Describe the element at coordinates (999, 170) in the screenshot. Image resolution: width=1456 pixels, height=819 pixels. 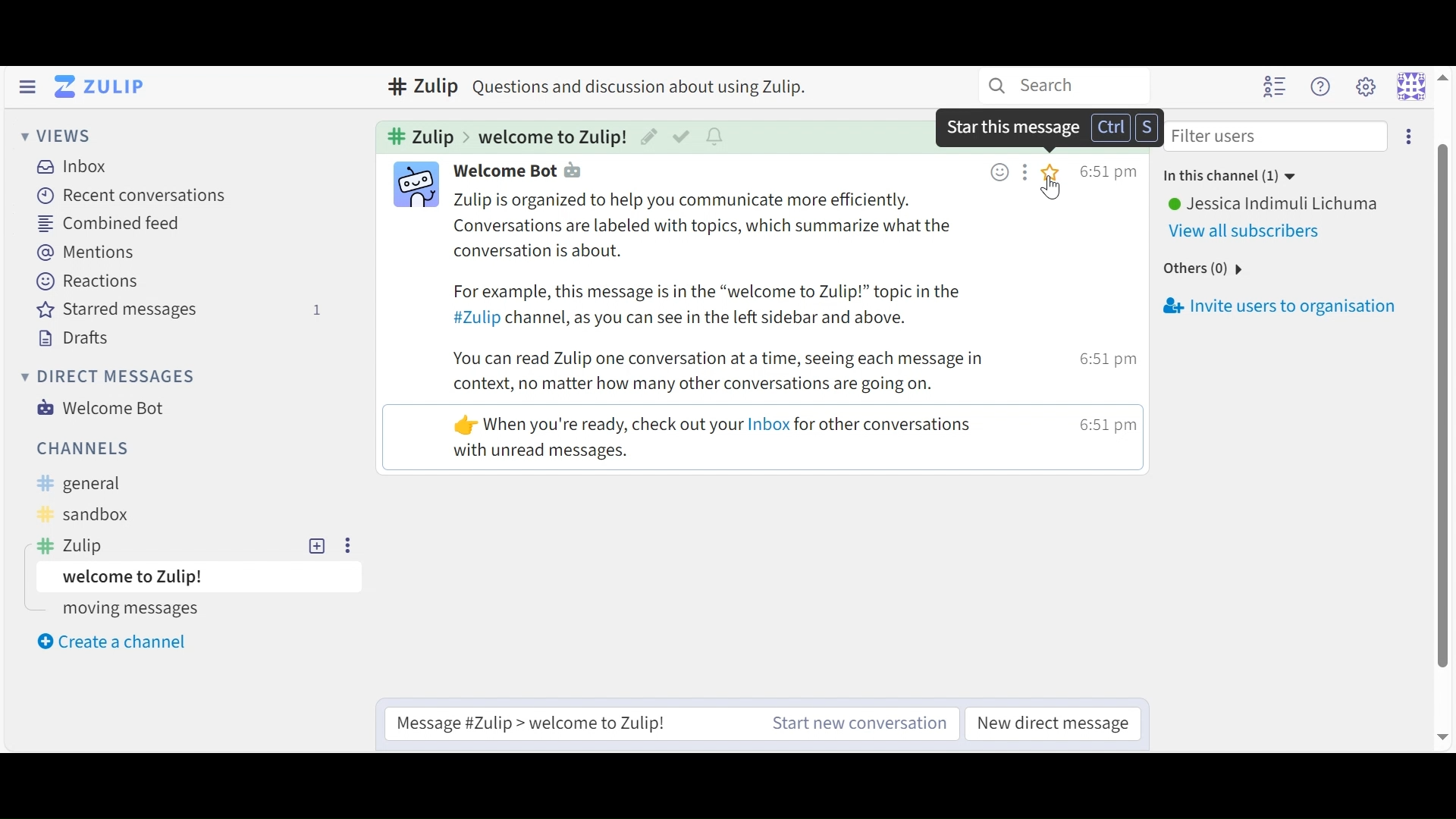
I see `Add emoji reaction` at that location.